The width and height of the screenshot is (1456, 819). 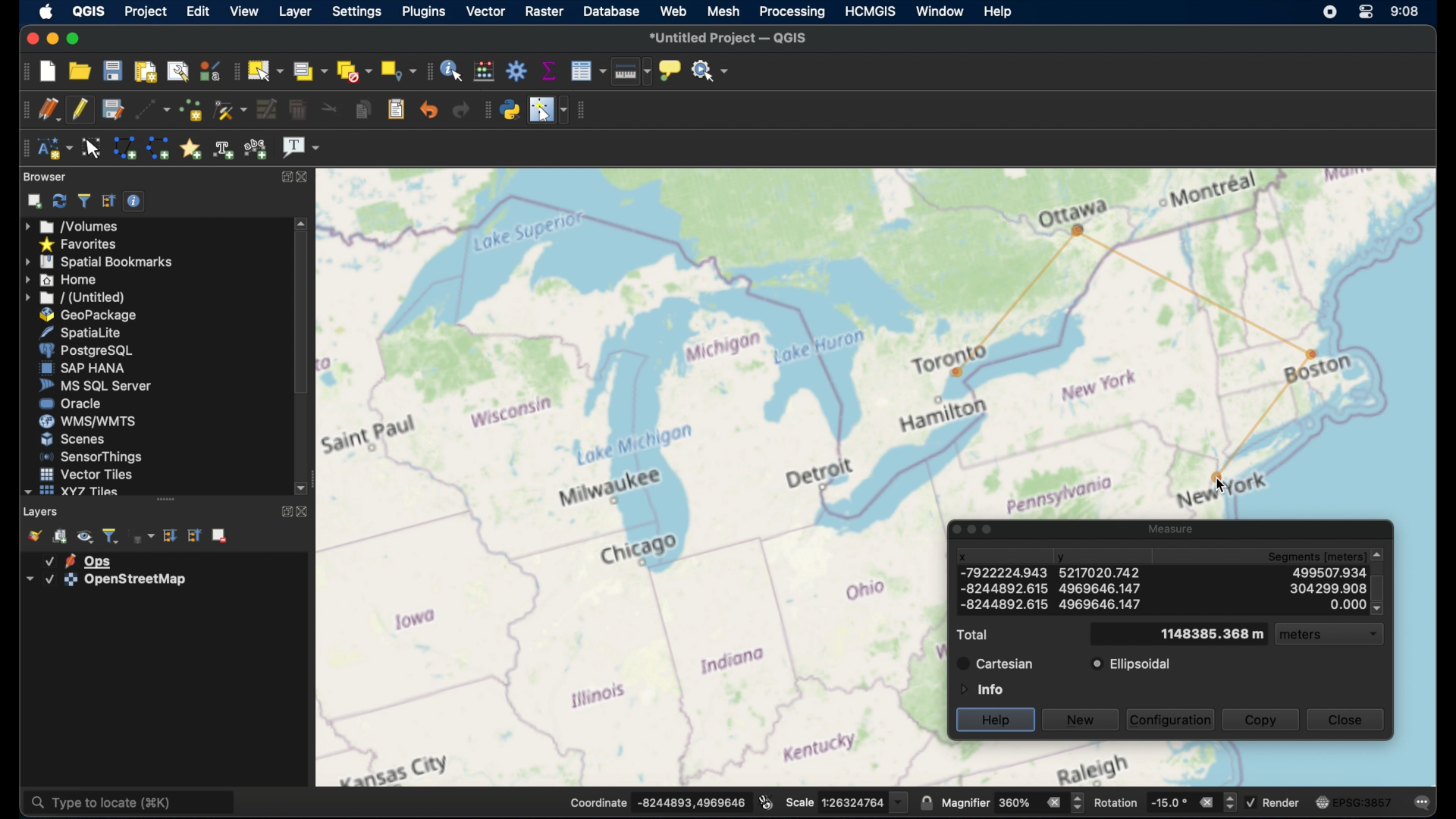 I want to click on x, so click(x=963, y=557).